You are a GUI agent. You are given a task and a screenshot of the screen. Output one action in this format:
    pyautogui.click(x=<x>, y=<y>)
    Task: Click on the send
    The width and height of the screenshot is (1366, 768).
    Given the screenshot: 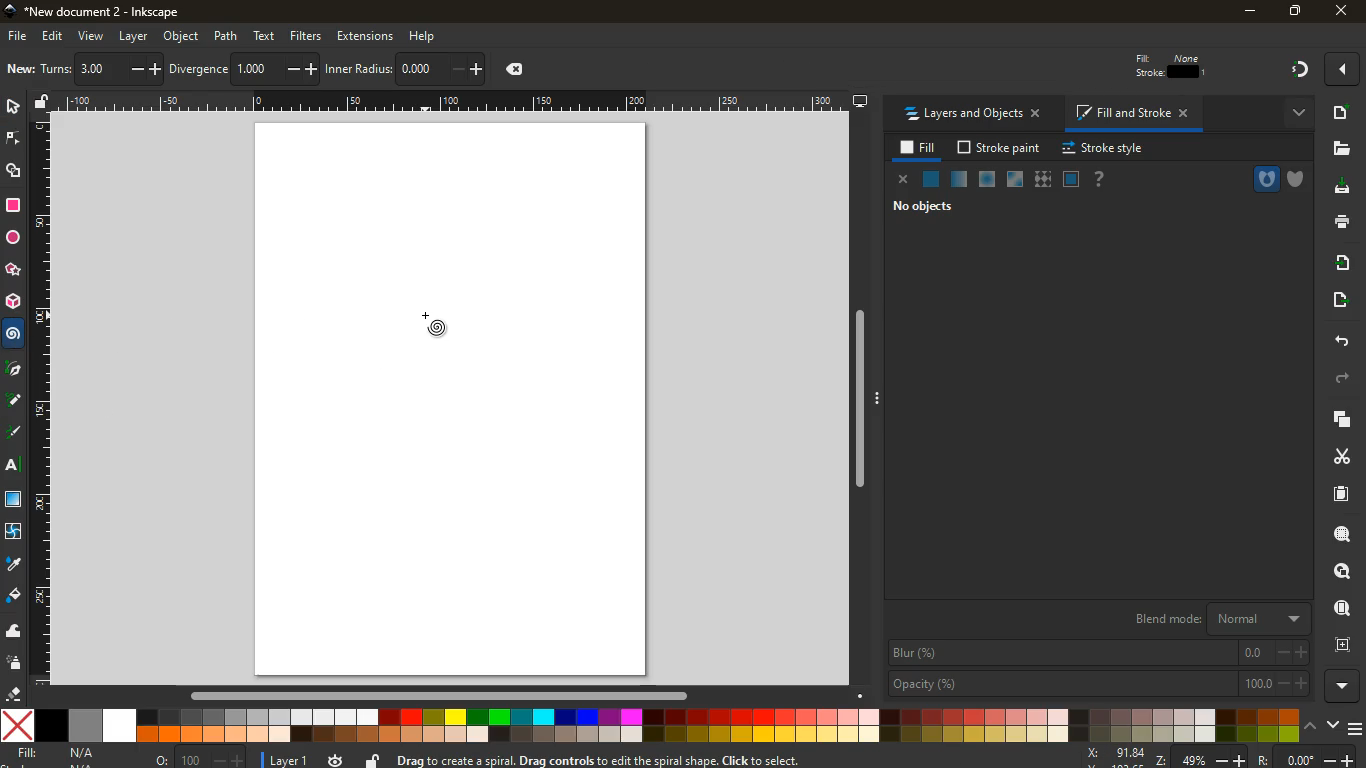 What is the action you would take?
    pyautogui.click(x=1340, y=299)
    